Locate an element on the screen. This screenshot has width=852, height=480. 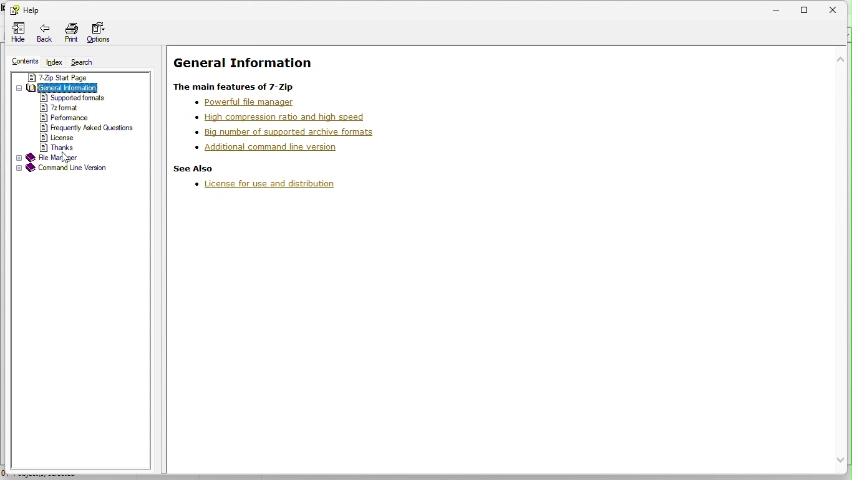
help is located at coordinates (25, 10).